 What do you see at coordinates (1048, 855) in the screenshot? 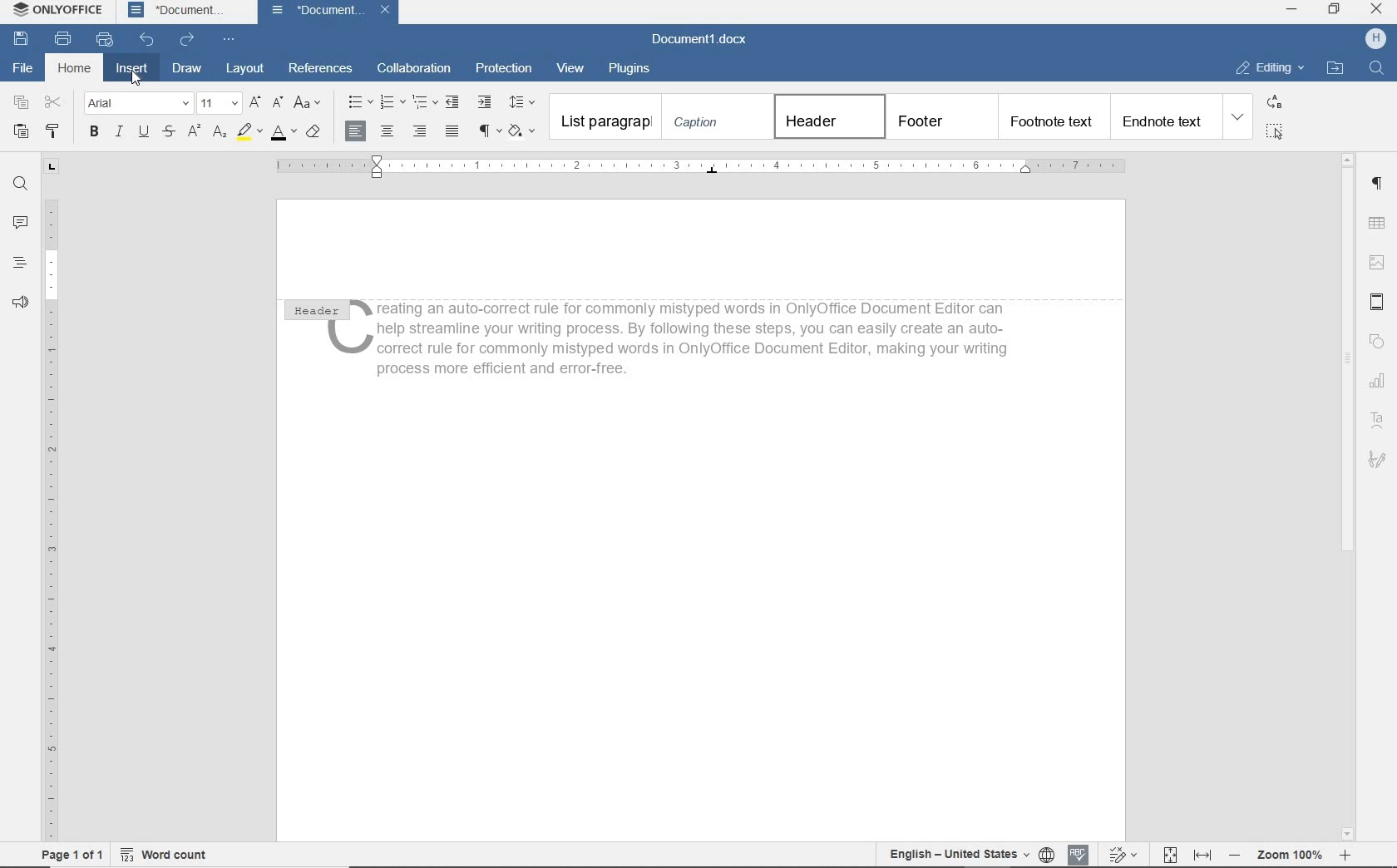
I see `selelct language` at bounding box center [1048, 855].